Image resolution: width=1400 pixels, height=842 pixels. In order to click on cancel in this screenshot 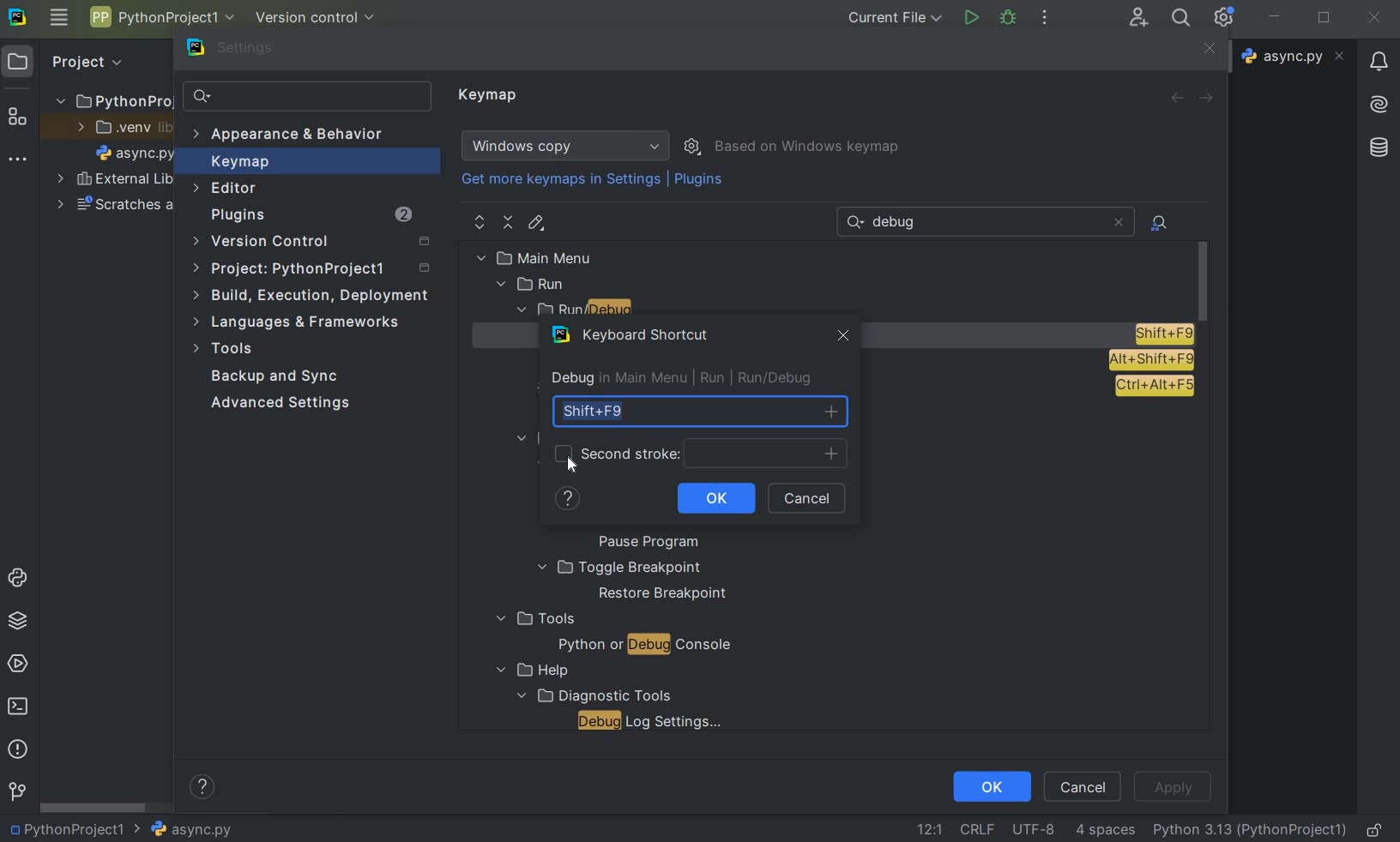, I will do `click(812, 499)`.